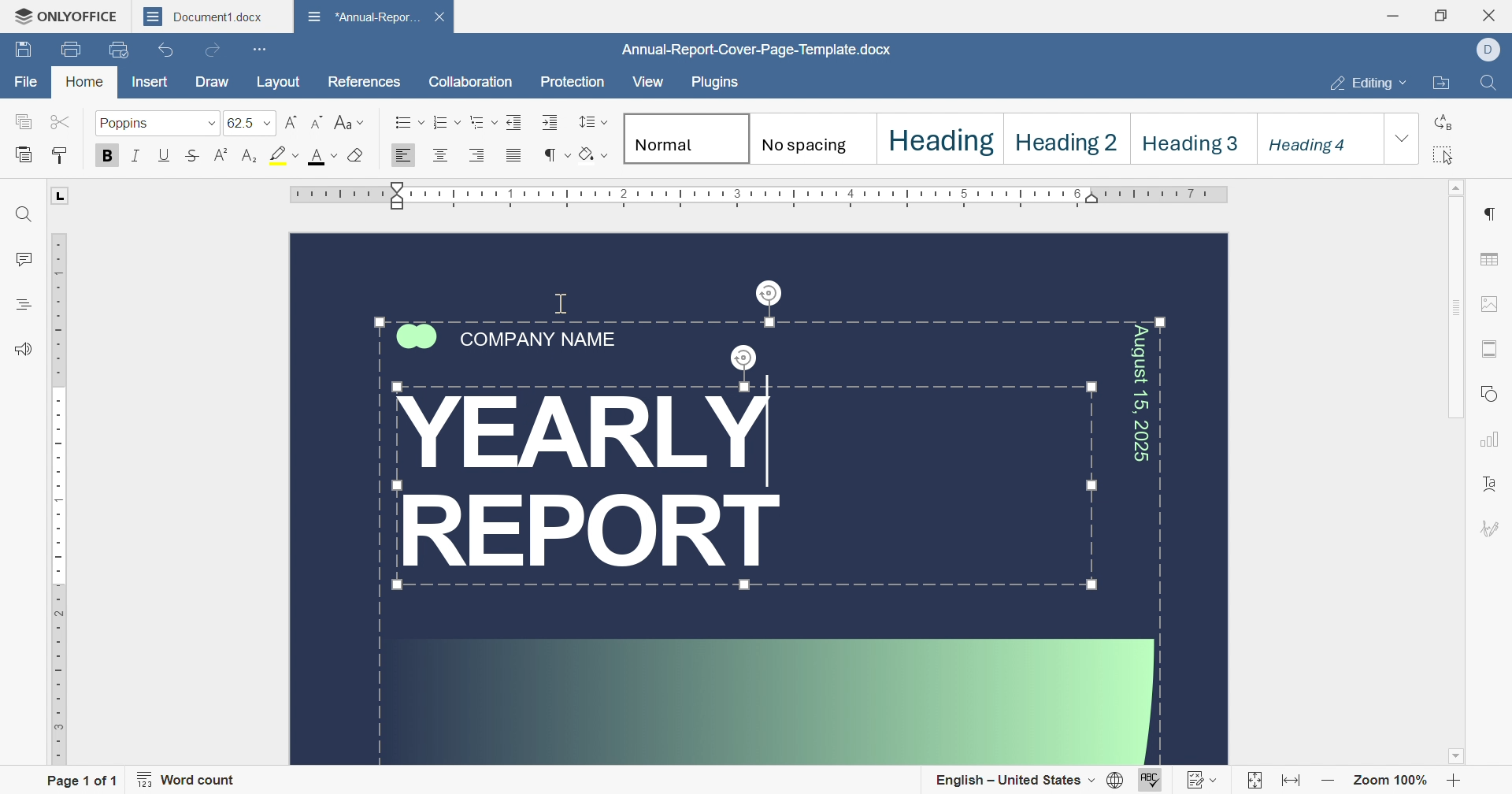  Describe the element at coordinates (191, 780) in the screenshot. I see `word count` at that location.